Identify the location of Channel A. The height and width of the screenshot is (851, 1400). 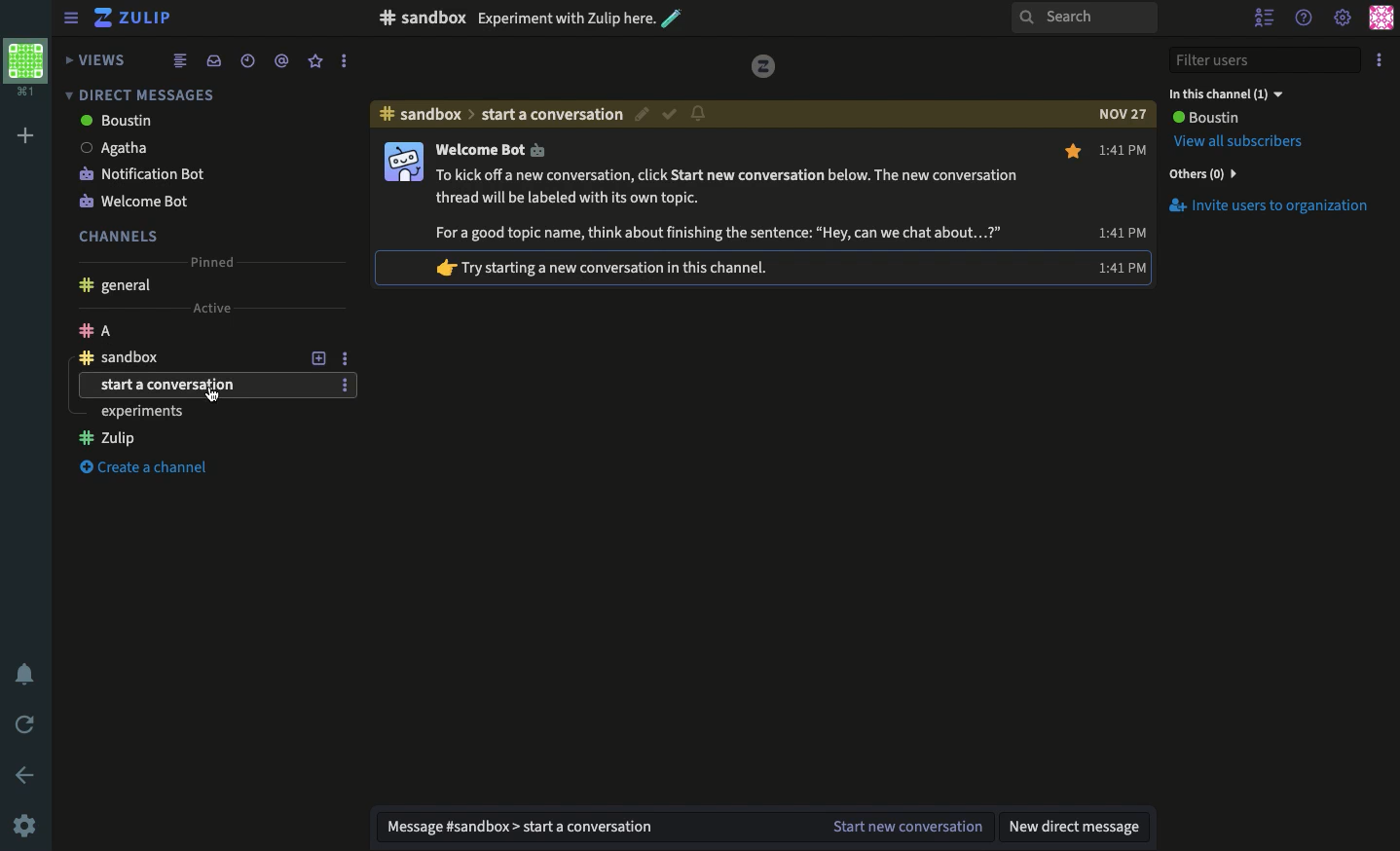
(183, 330).